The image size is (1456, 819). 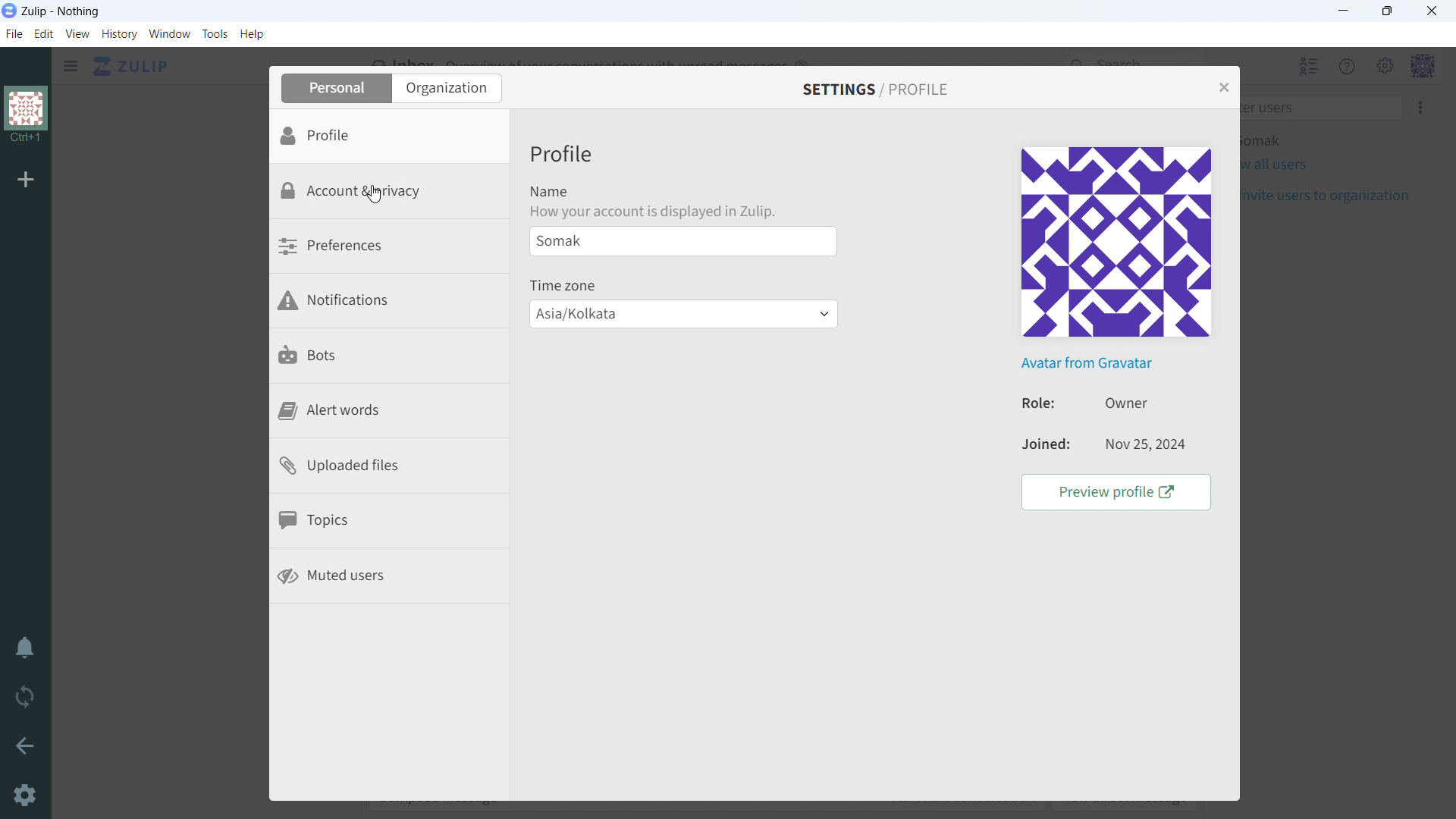 What do you see at coordinates (132, 65) in the screenshot?
I see `click to go home view (inbox)` at bounding box center [132, 65].